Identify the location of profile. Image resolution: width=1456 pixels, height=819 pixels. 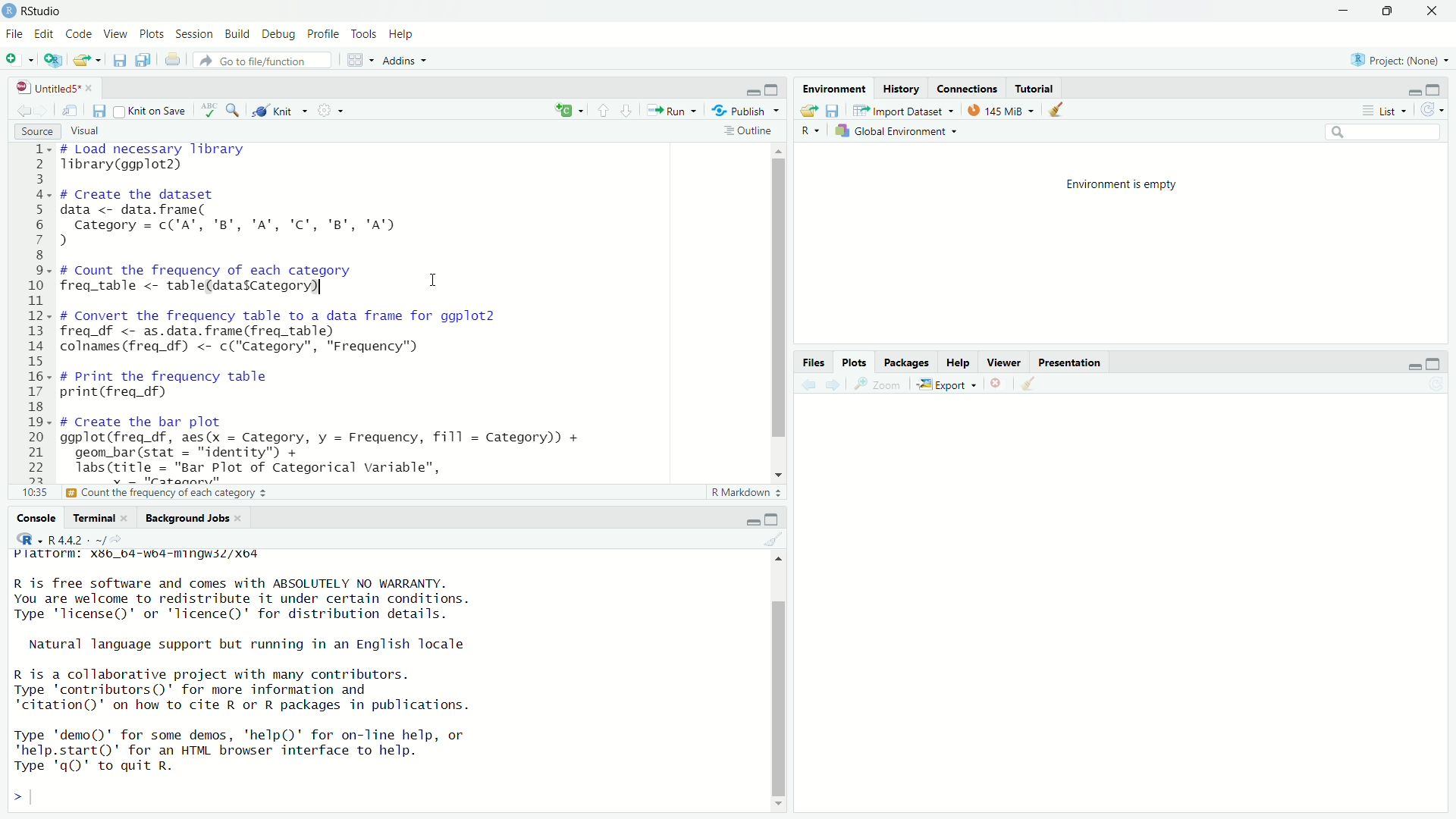
(322, 34).